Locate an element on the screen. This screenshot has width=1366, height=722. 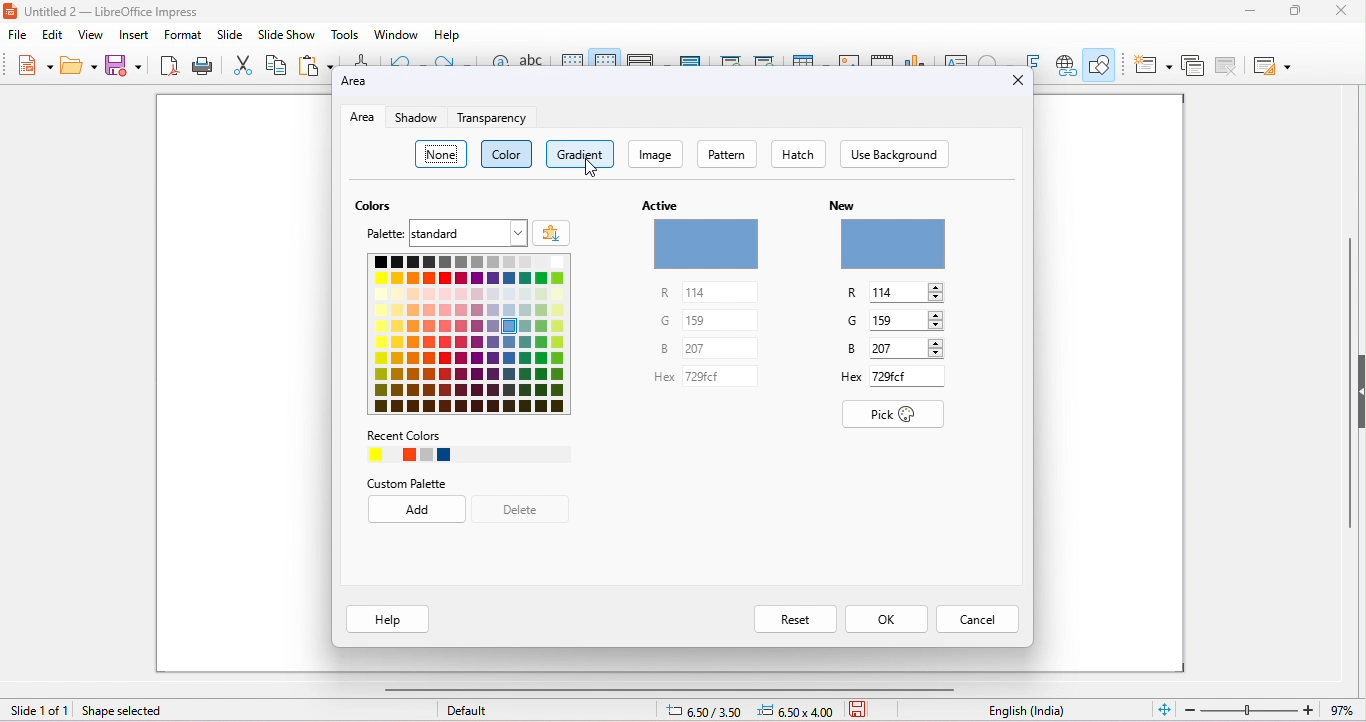
vertical scroll bar is located at coordinates (1347, 398).